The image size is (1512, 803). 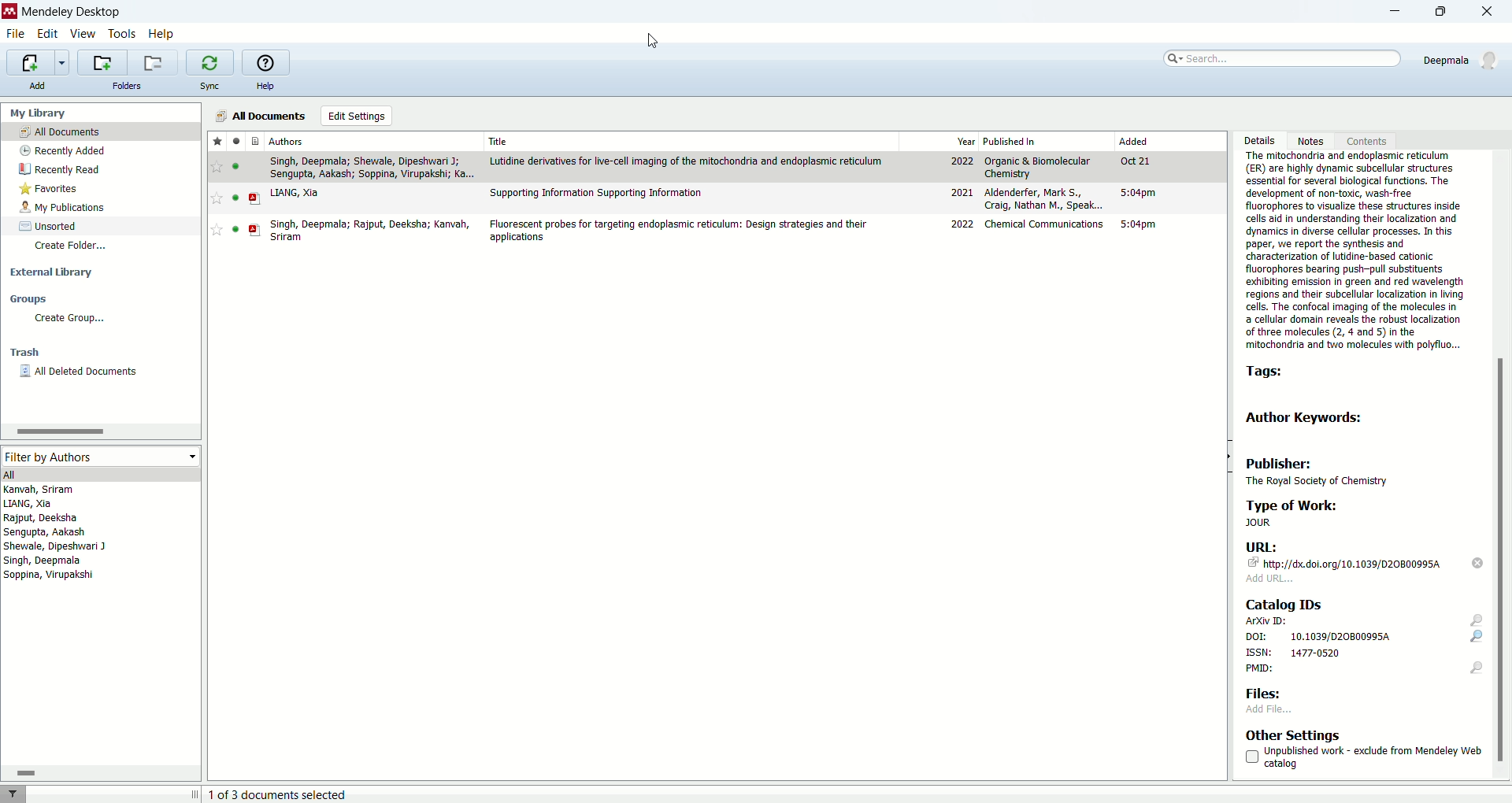 What do you see at coordinates (209, 86) in the screenshot?
I see `sync` at bounding box center [209, 86].